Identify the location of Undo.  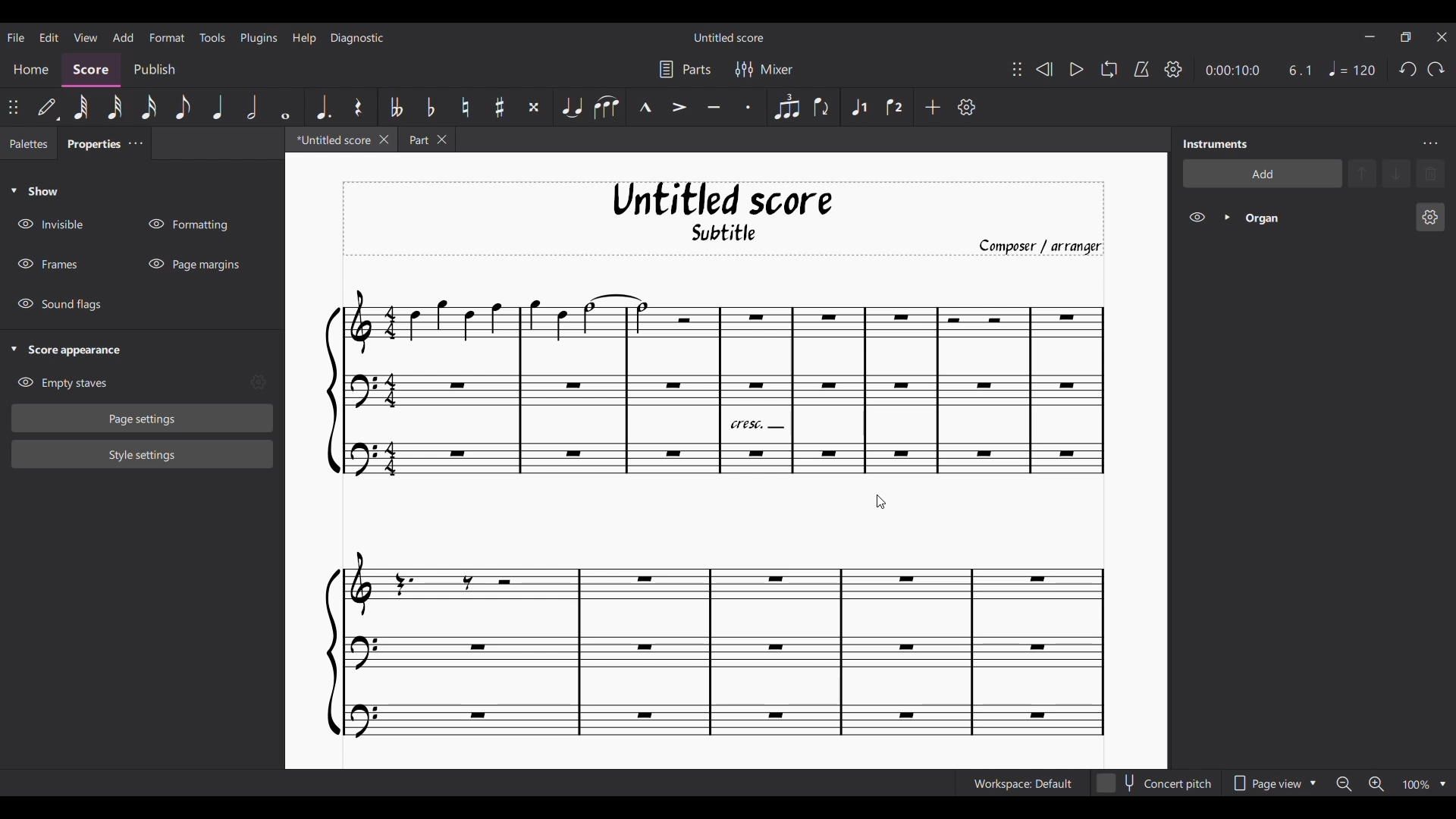
(1407, 69).